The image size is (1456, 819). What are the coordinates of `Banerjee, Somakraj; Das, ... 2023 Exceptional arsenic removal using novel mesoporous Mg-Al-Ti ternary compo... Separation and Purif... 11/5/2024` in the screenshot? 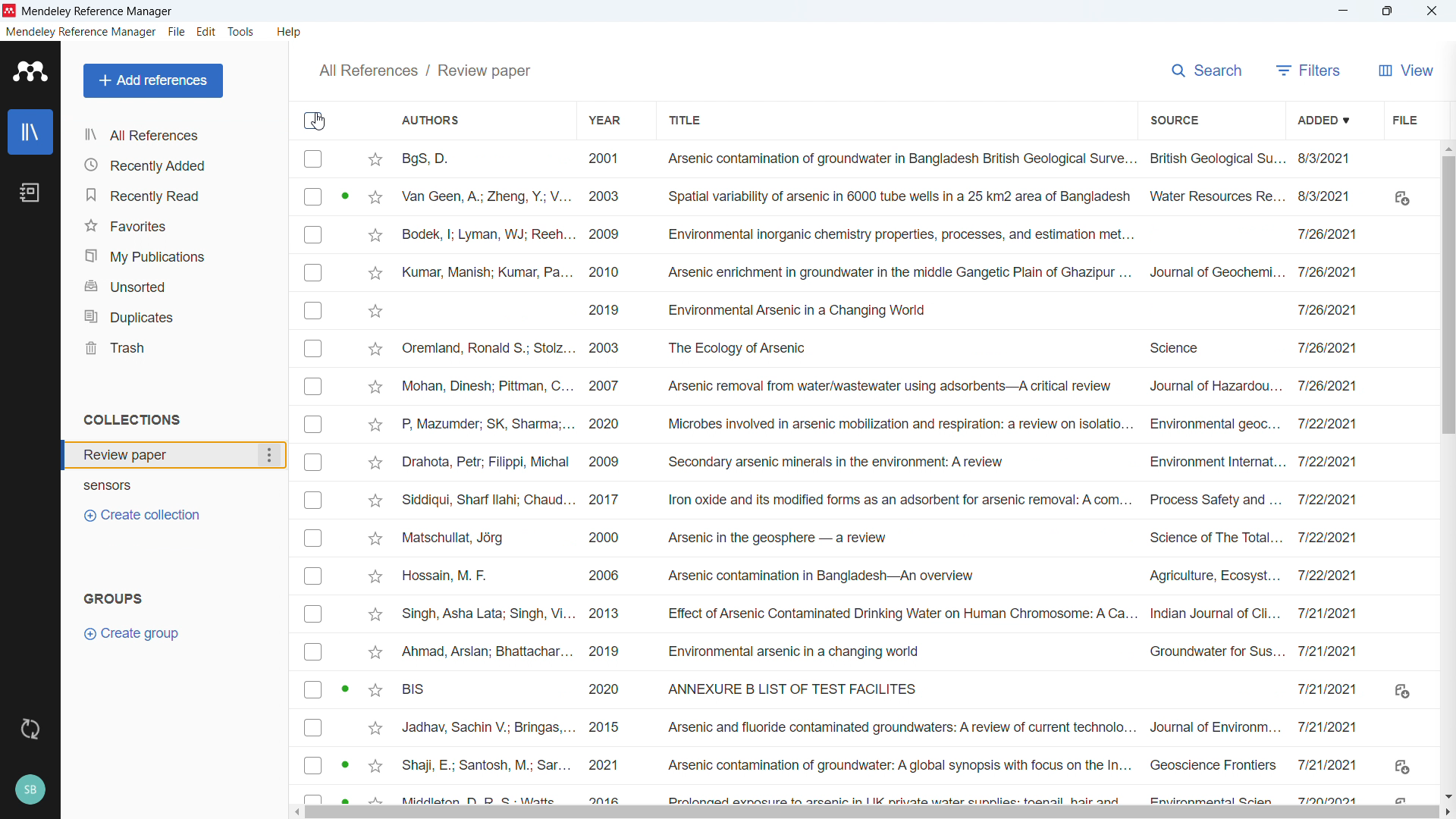 It's located at (884, 159).